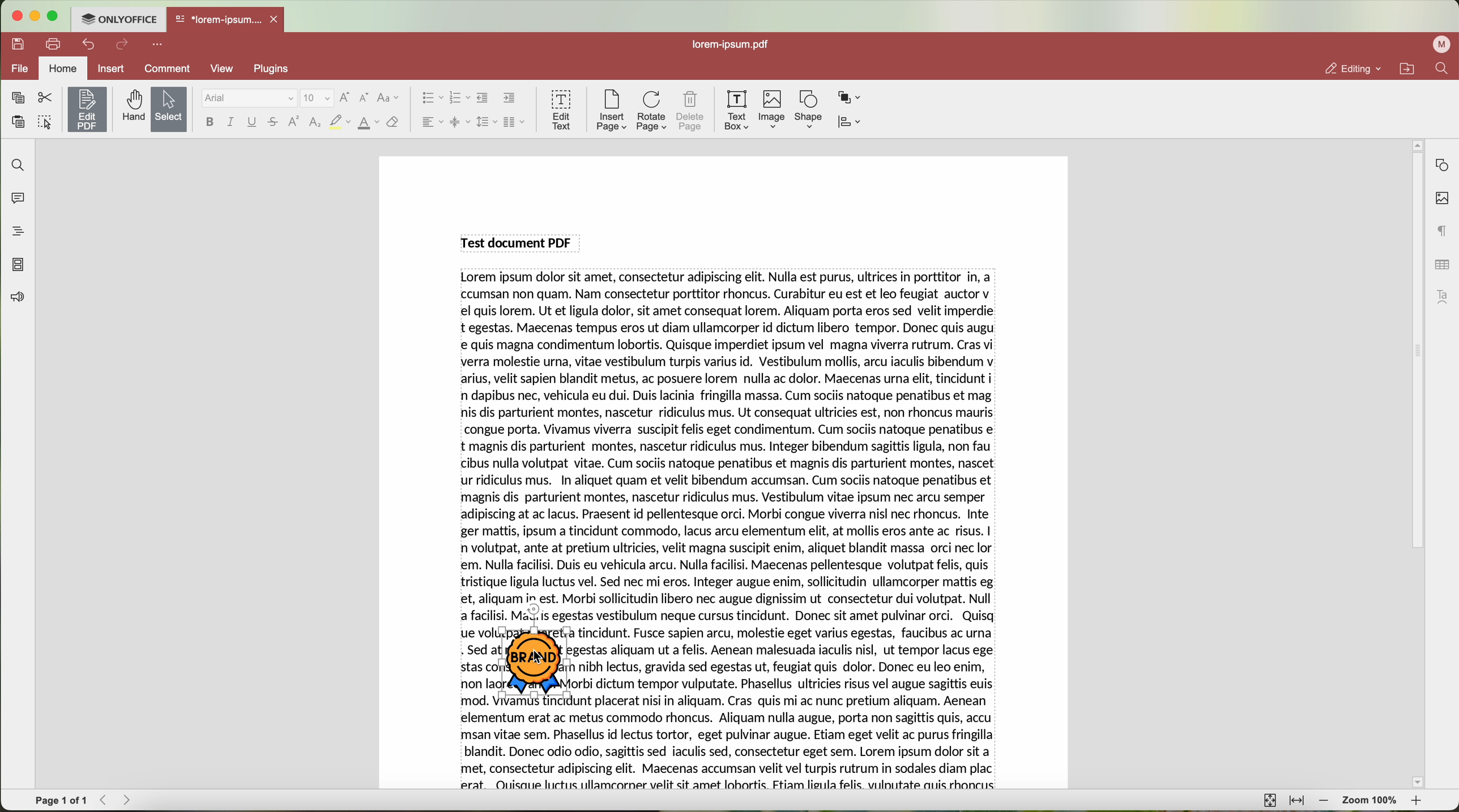 This screenshot has width=1459, height=812. What do you see at coordinates (431, 122) in the screenshot?
I see `horizontal align` at bounding box center [431, 122].